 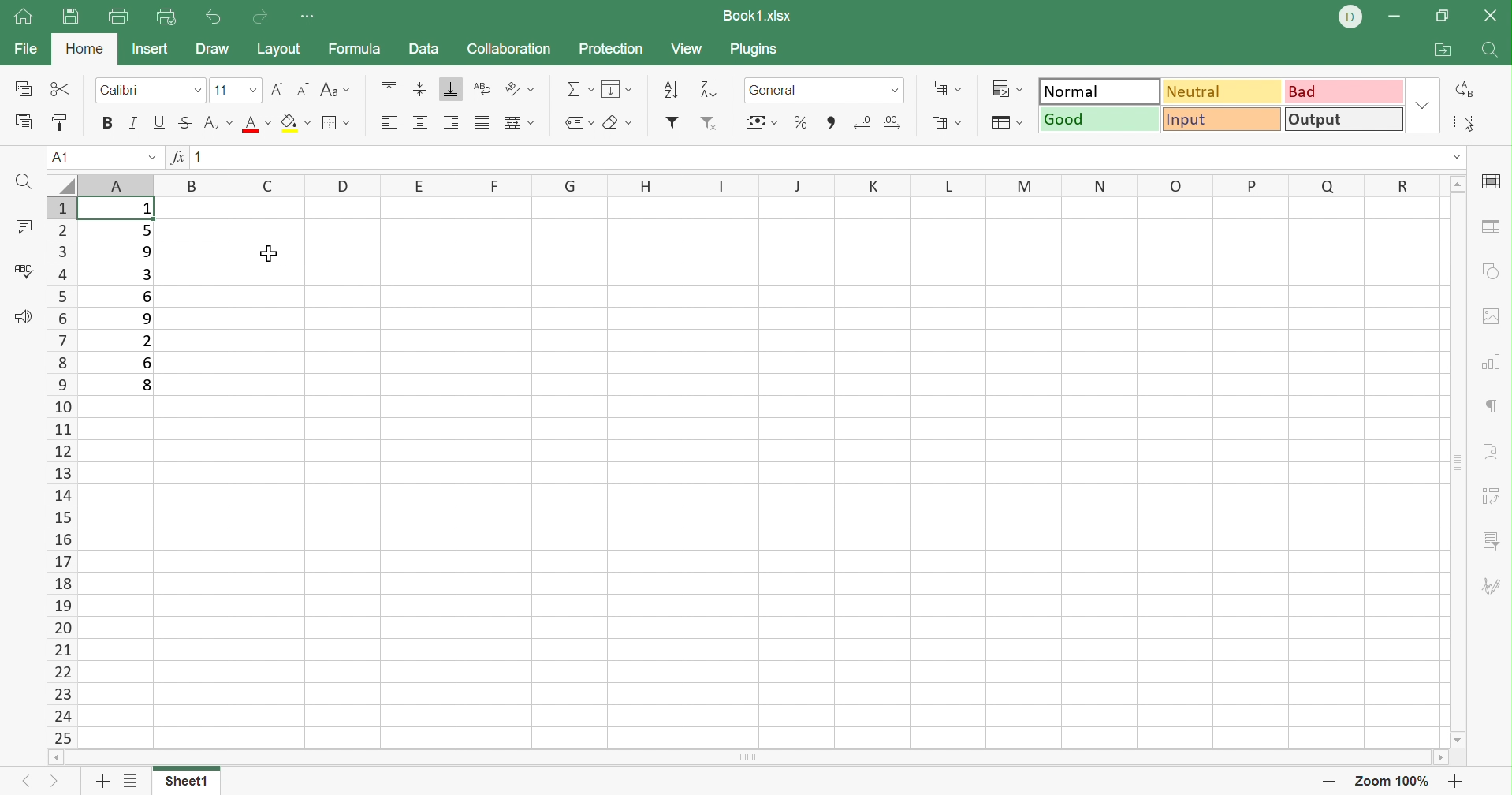 What do you see at coordinates (177, 159) in the screenshot?
I see `fx` at bounding box center [177, 159].